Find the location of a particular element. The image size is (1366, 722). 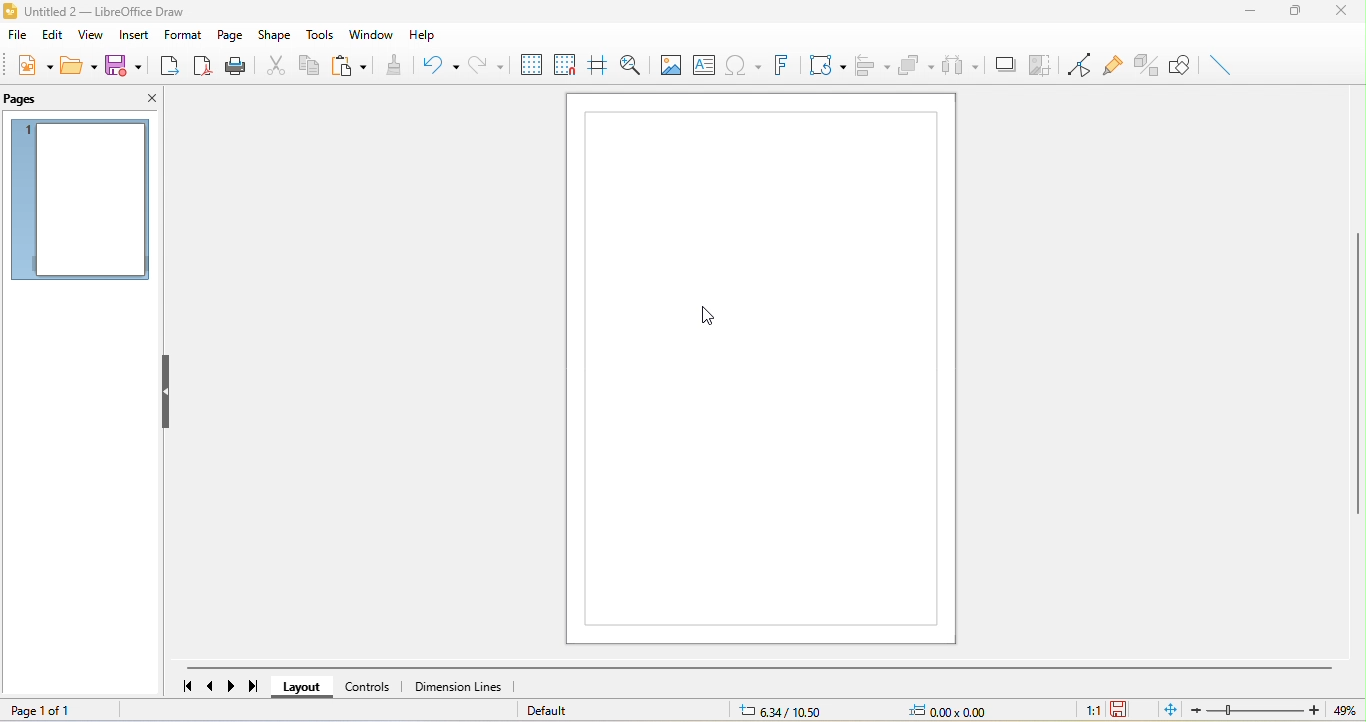

toggle extrusion is located at coordinates (1143, 65).